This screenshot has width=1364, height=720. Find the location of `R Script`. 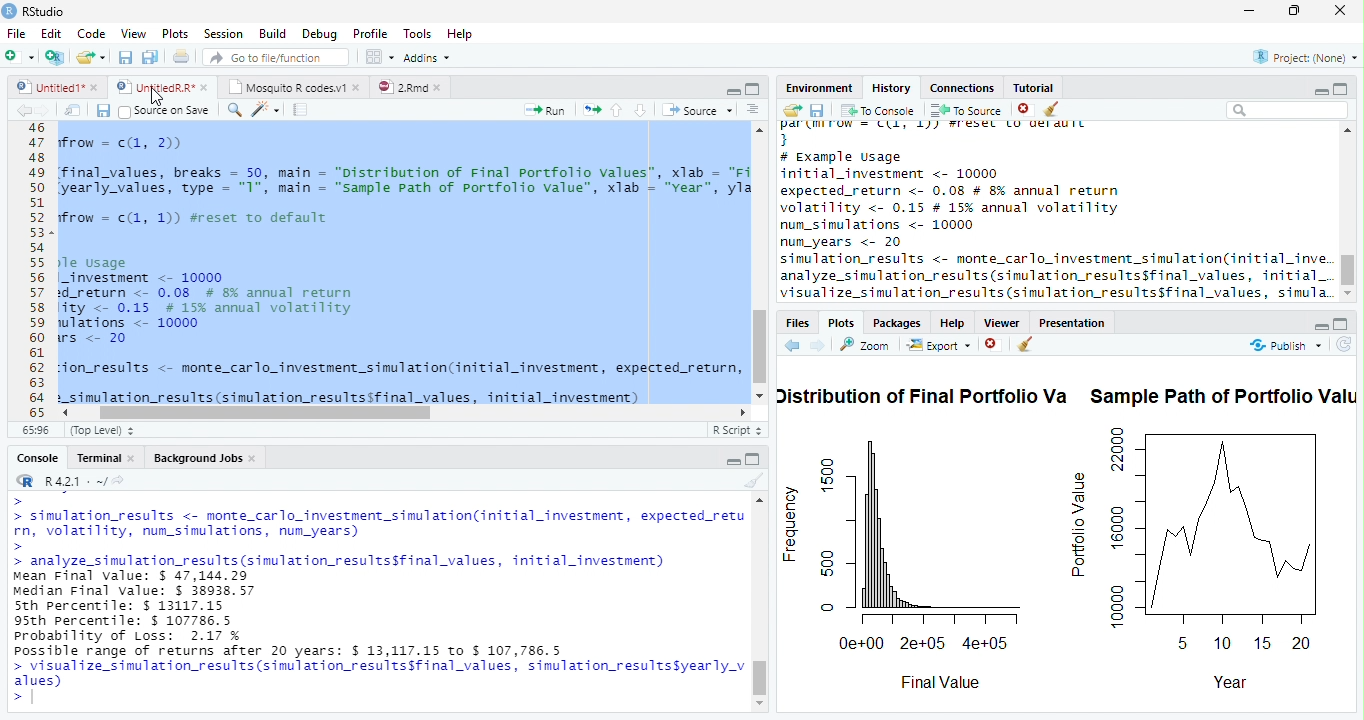

R Script is located at coordinates (737, 430).